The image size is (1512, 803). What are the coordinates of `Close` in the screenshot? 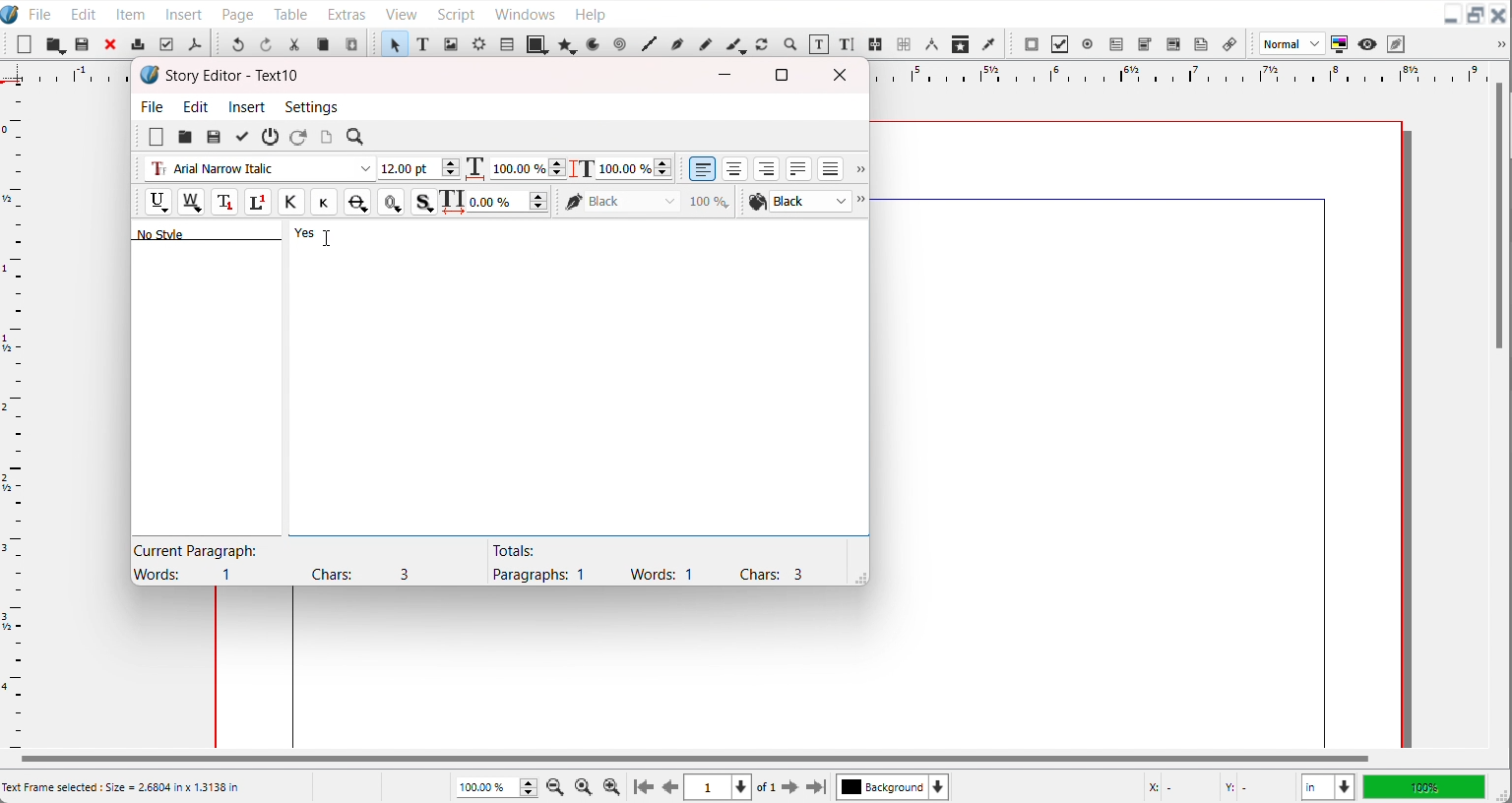 It's located at (844, 75).